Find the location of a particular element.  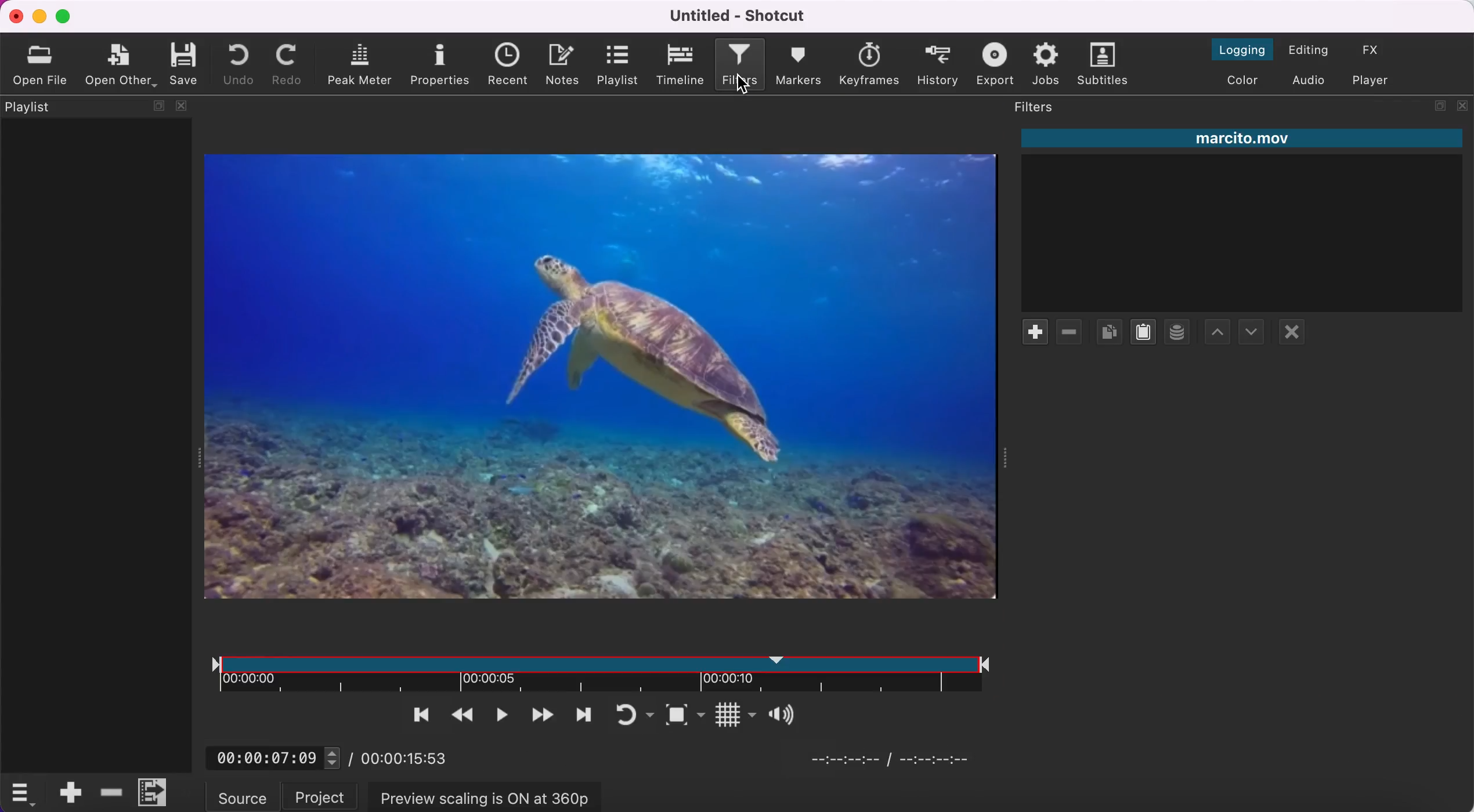

properties is located at coordinates (440, 65).